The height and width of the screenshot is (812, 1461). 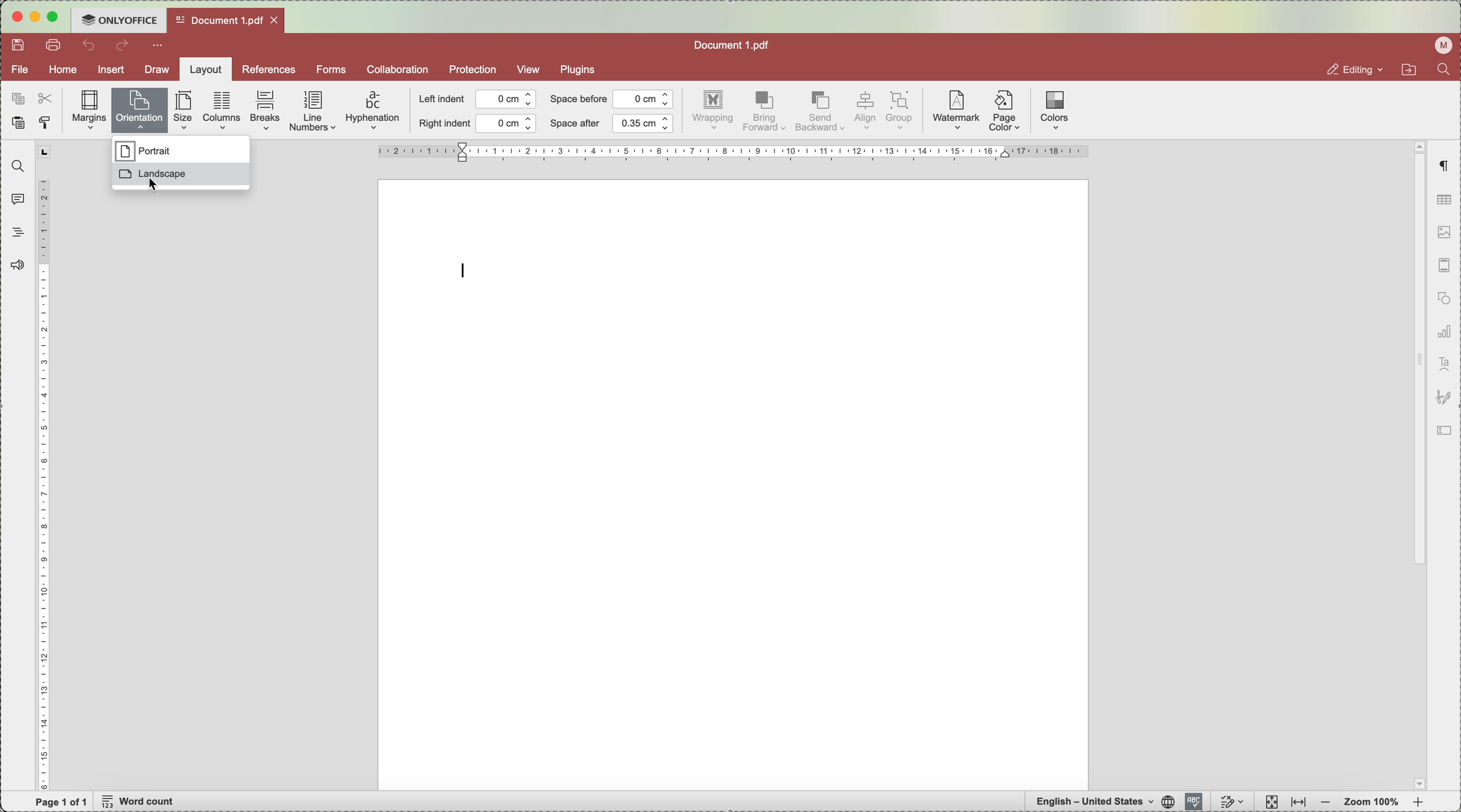 I want to click on paste, so click(x=18, y=125).